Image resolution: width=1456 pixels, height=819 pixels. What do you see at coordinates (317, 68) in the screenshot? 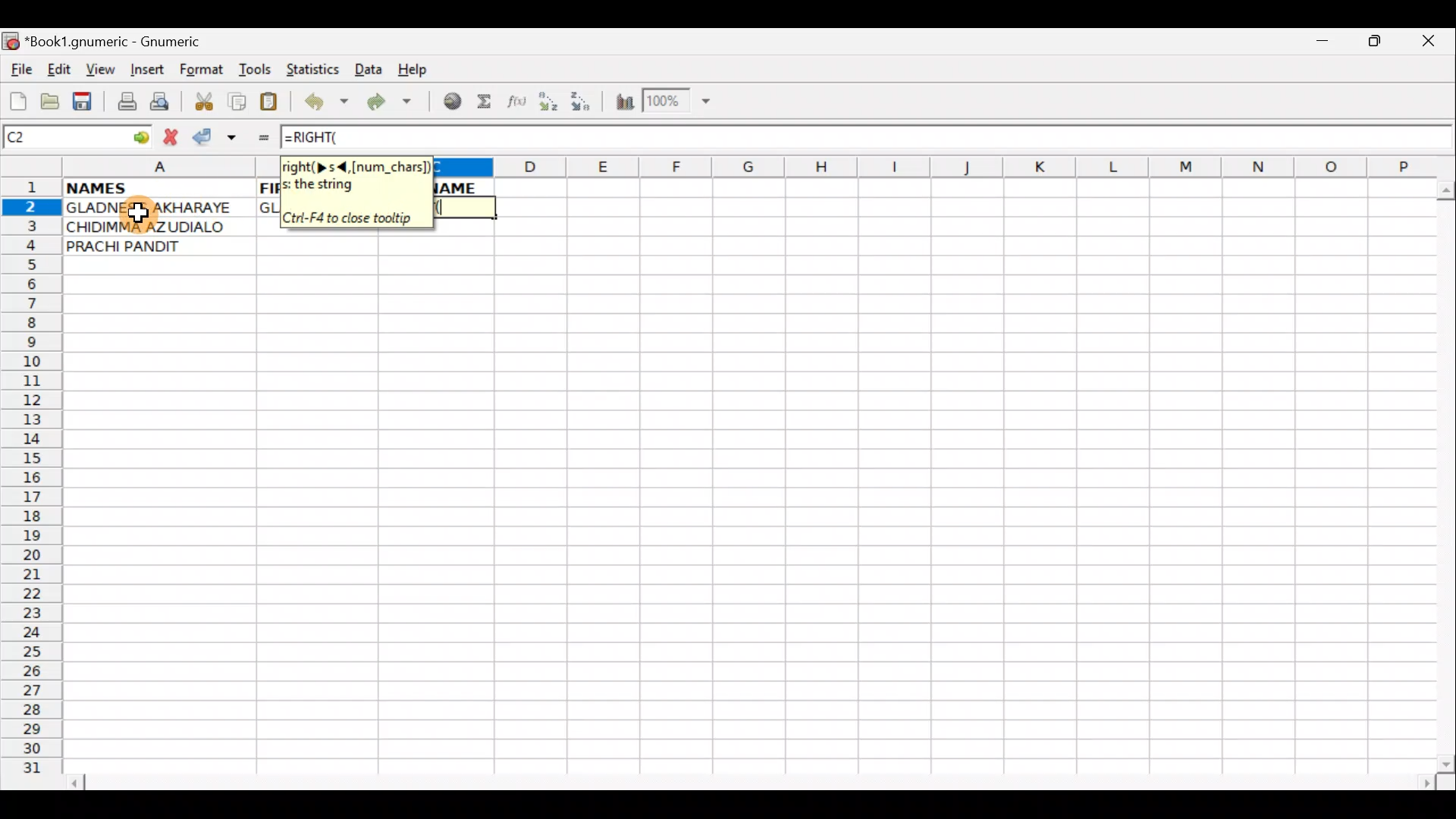
I see `Statistics` at bounding box center [317, 68].